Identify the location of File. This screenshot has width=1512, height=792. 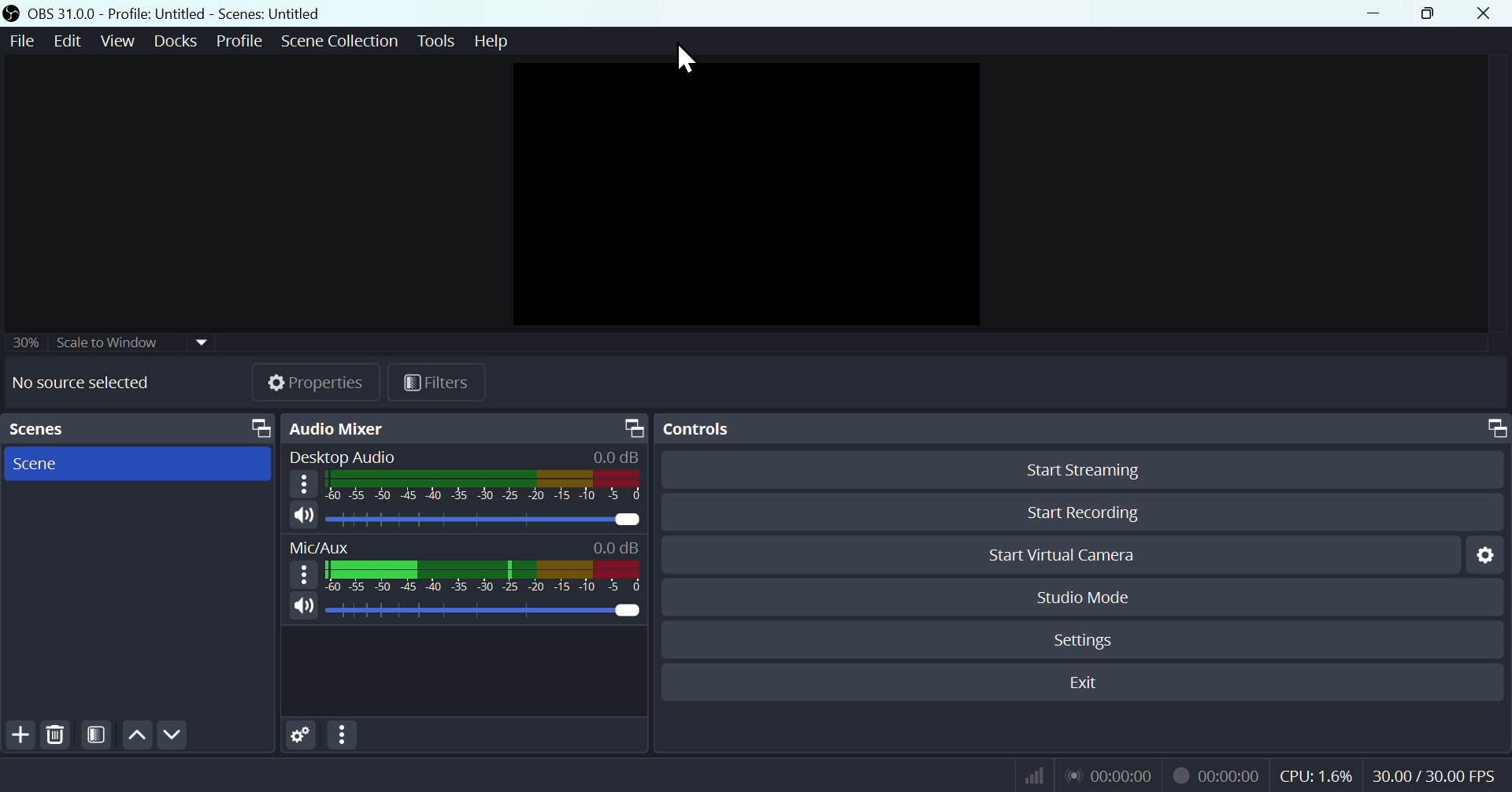
(23, 41).